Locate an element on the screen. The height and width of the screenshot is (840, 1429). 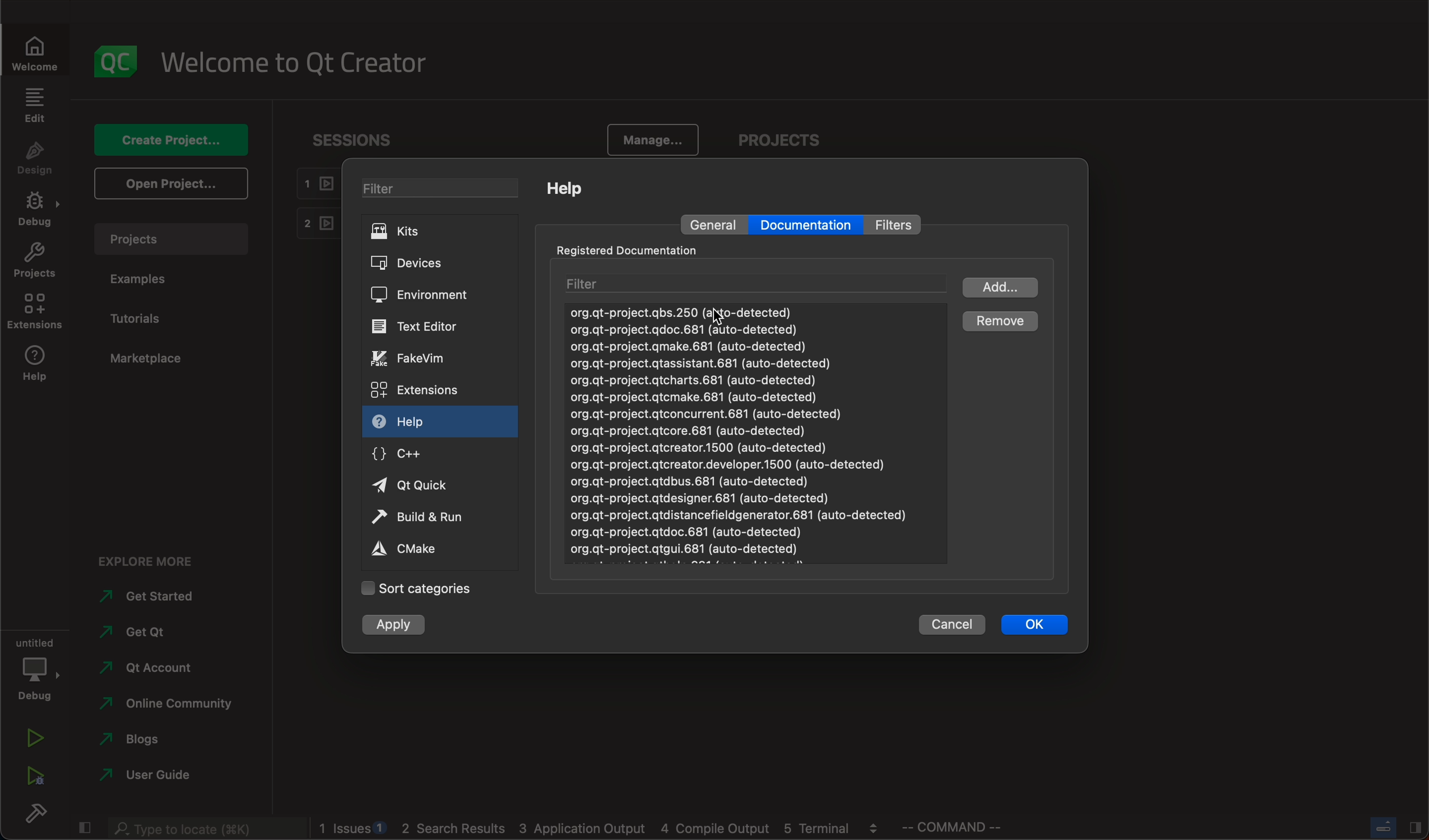
projects is located at coordinates (34, 259).